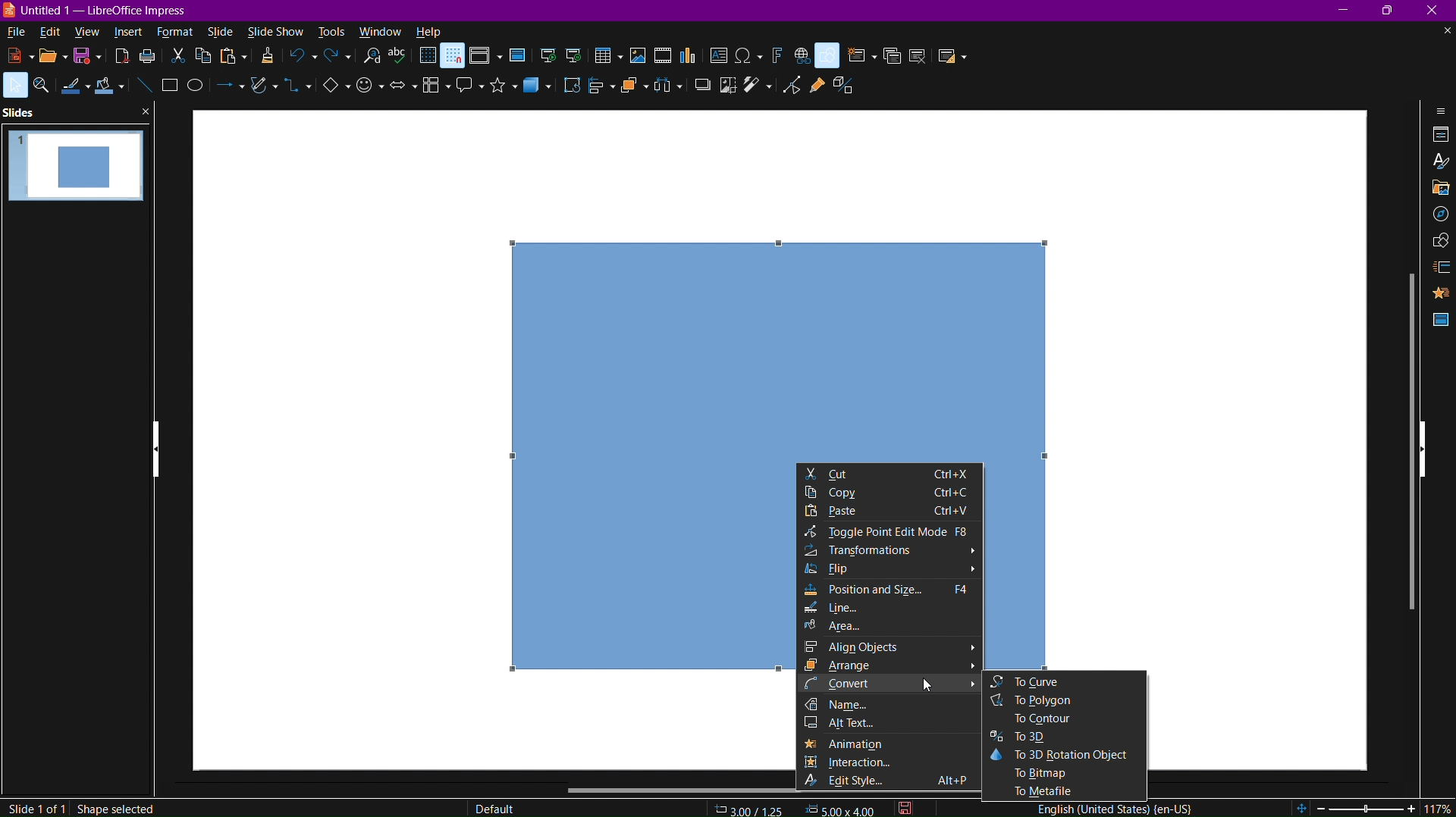 Image resolution: width=1456 pixels, height=817 pixels. Describe the element at coordinates (1064, 719) in the screenshot. I see `To Contour` at that location.